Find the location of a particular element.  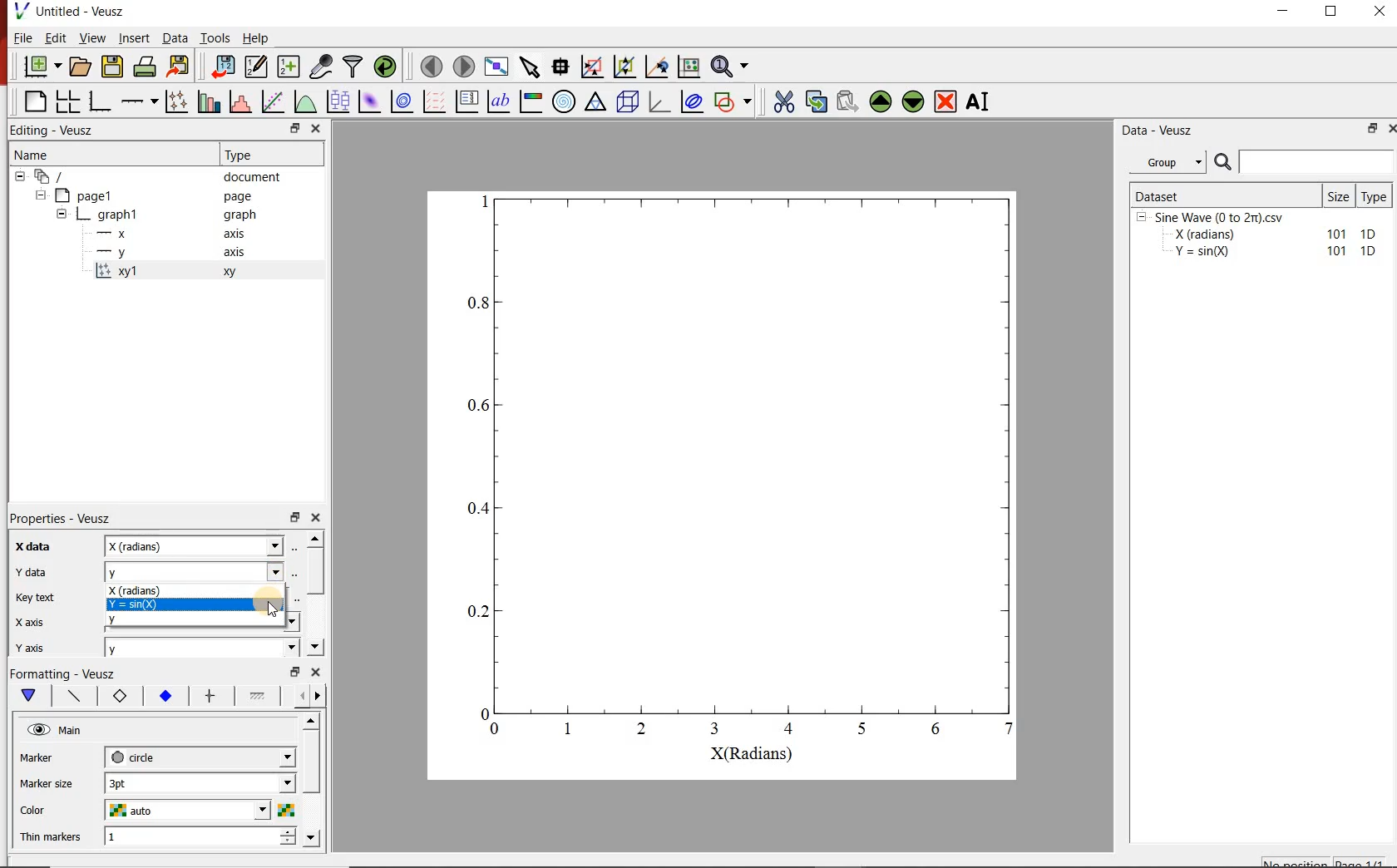

Page 1 Graph 1 is located at coordinates (83, 224).